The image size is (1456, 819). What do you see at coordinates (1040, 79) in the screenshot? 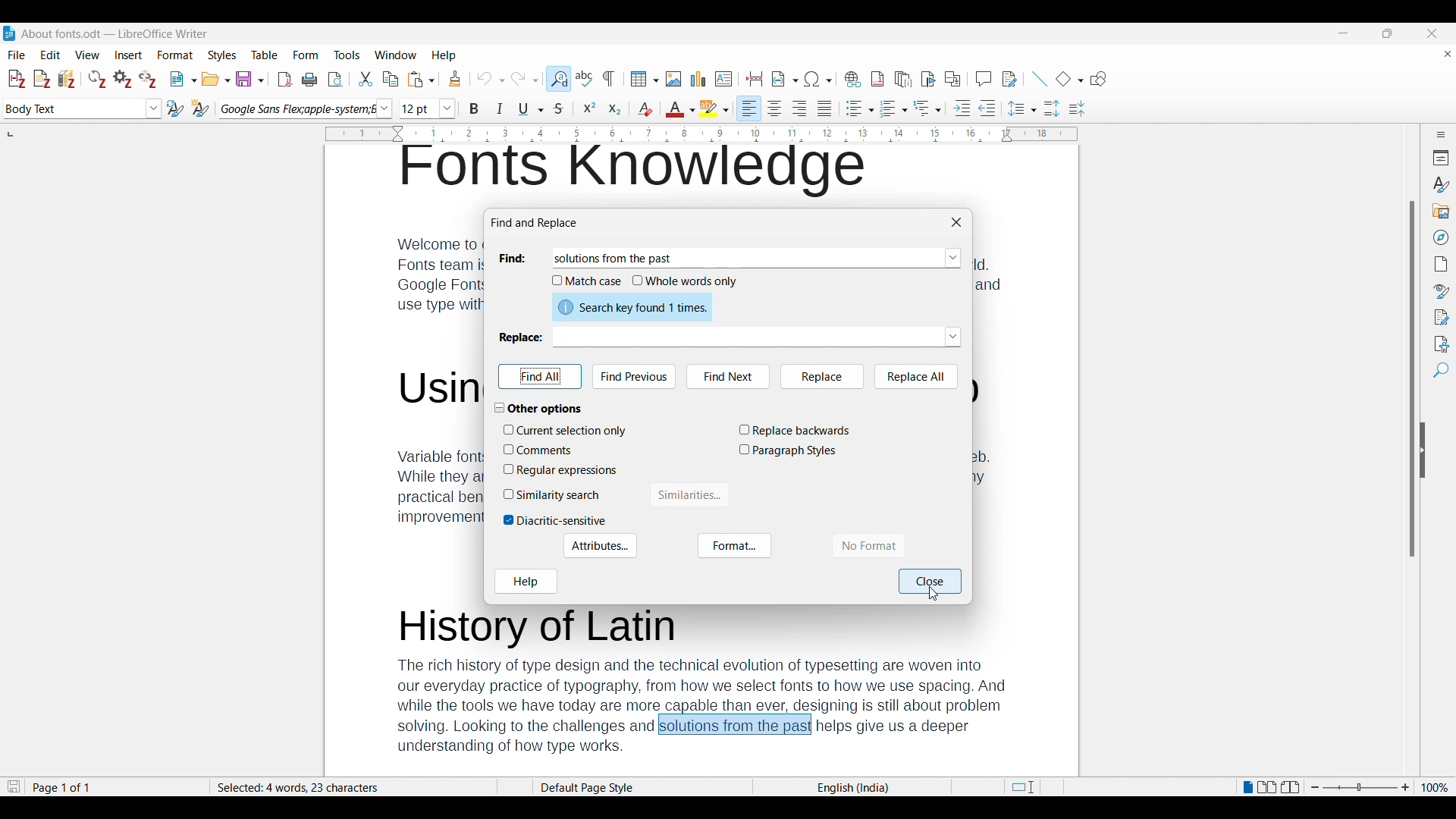
I see `Insert line` at bounding box center [1040, 79].